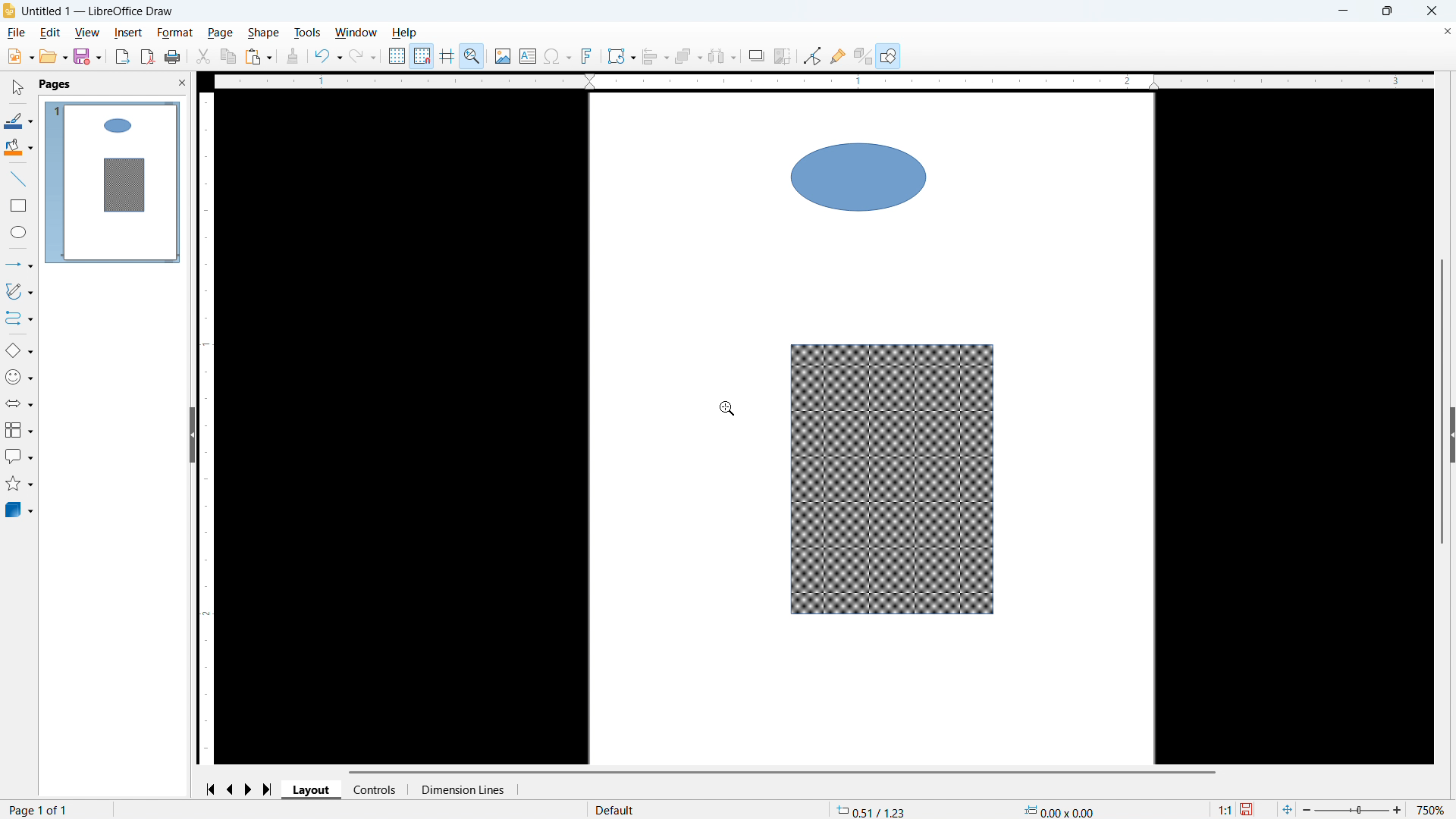 The width and height of the screenshot is (1456, 819). What do you see at coordinates (888, 55) in the screenshot?
I see `Show draw functions ` at bounding box center [888, 55].